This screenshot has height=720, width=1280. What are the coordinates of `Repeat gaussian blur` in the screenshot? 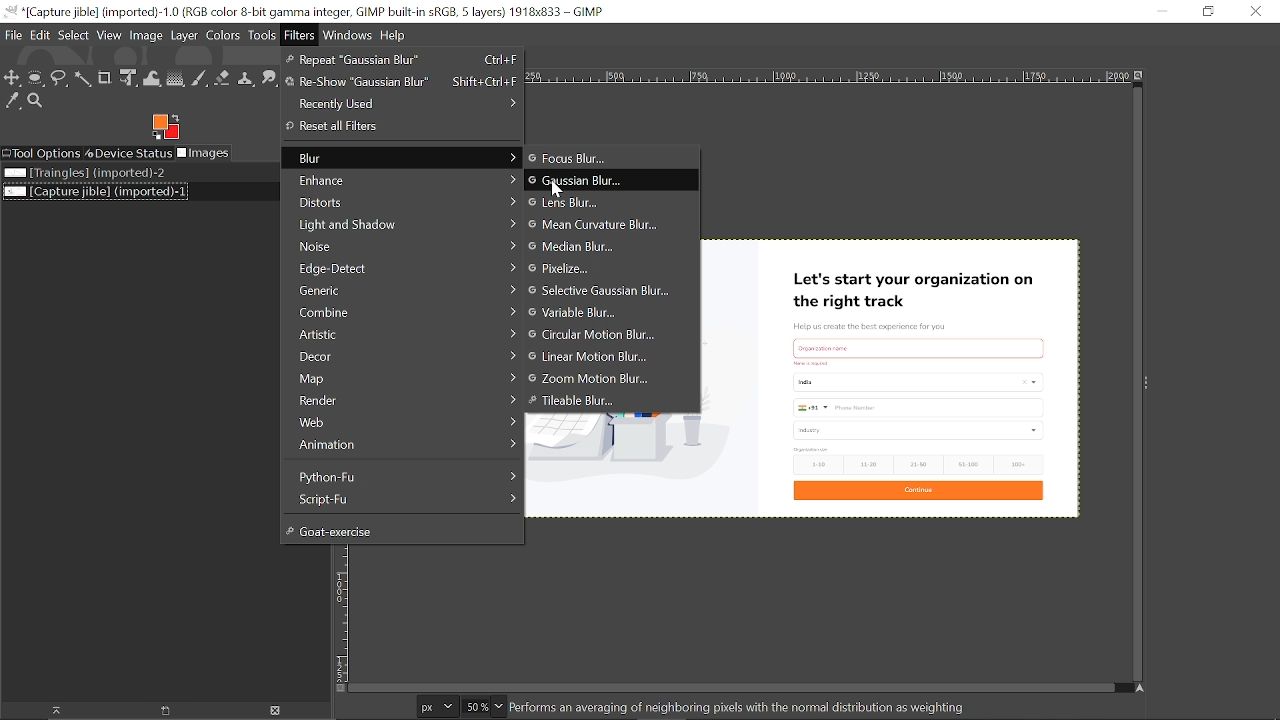 It's located at (401, 60).